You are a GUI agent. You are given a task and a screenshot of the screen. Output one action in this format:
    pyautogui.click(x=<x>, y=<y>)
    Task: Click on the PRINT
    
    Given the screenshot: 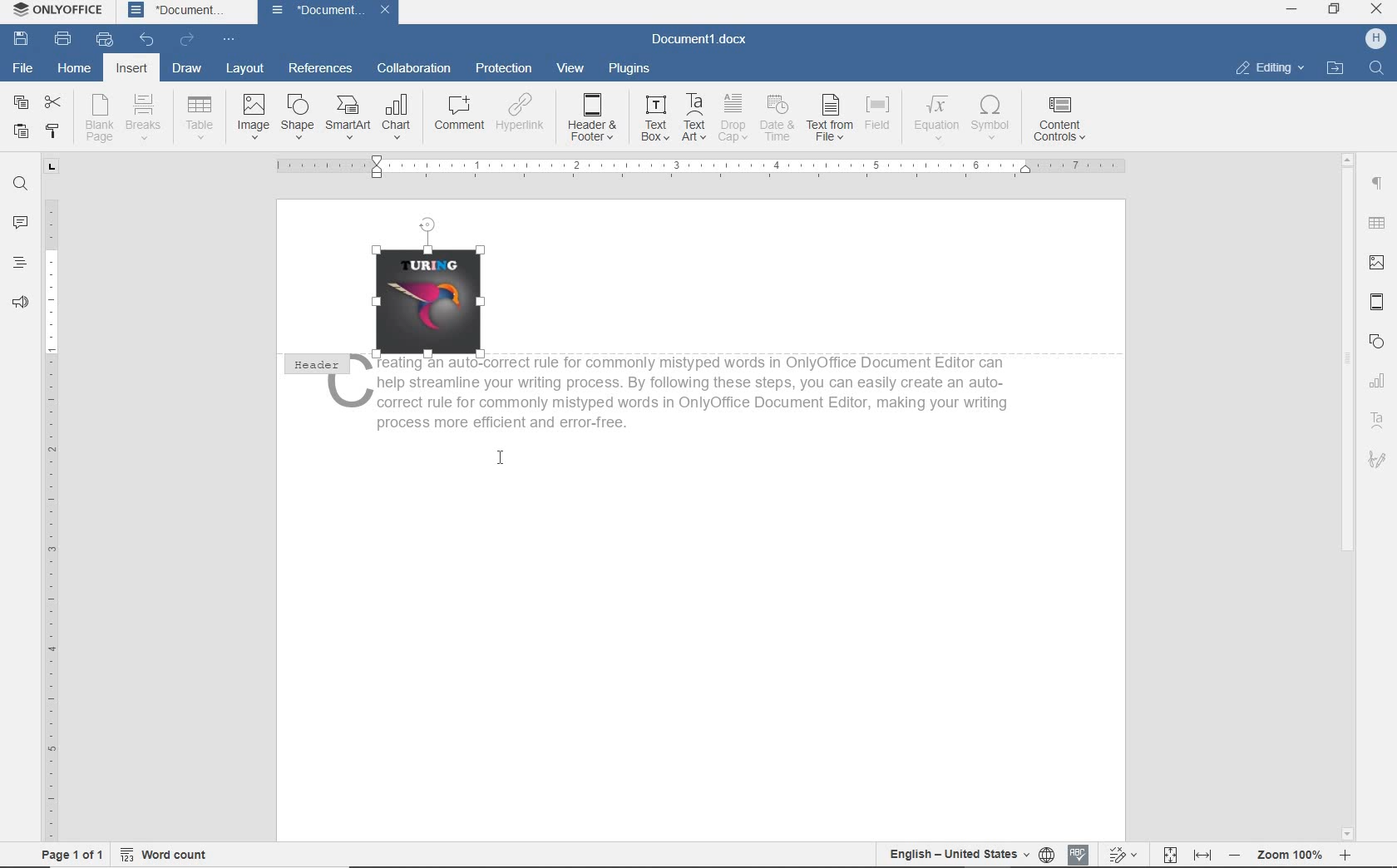 What is the action you would take?
    pyautogui.click(x=63, y=37)
    